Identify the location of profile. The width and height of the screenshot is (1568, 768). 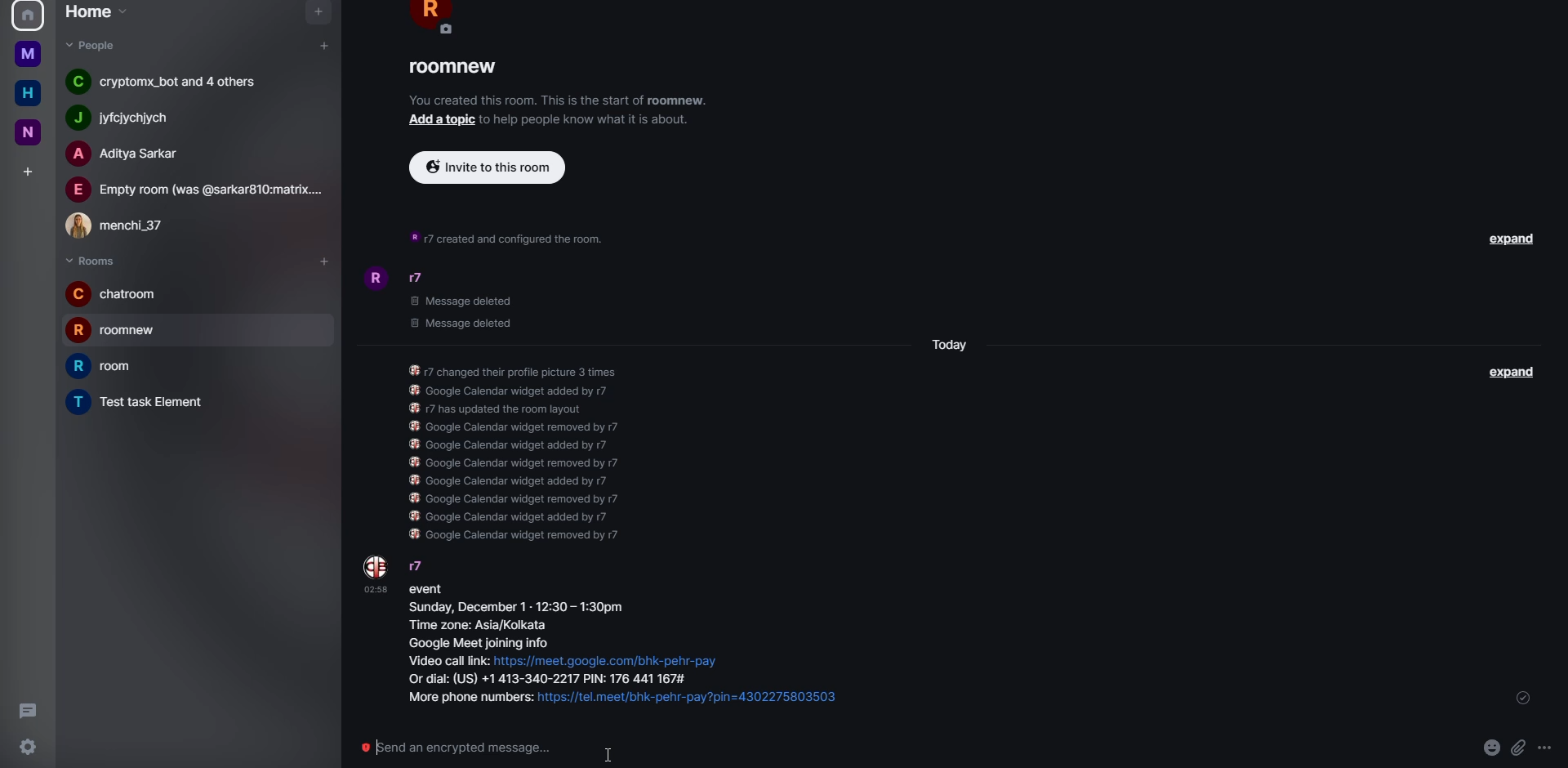
(371, 278).